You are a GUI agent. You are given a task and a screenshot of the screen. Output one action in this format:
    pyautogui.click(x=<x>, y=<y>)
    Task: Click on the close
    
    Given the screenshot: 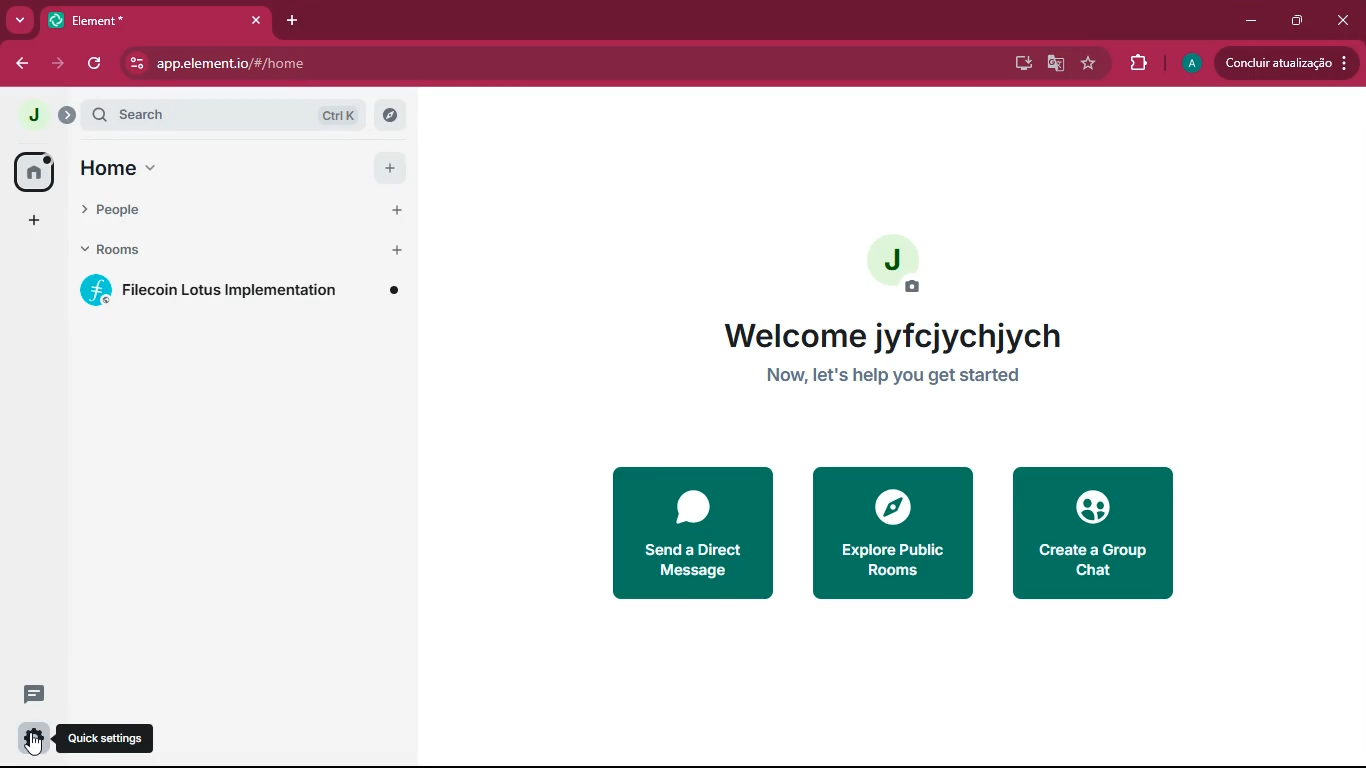 What is the action you would take?
    pyautogui.click(x=1346, y=21)
    